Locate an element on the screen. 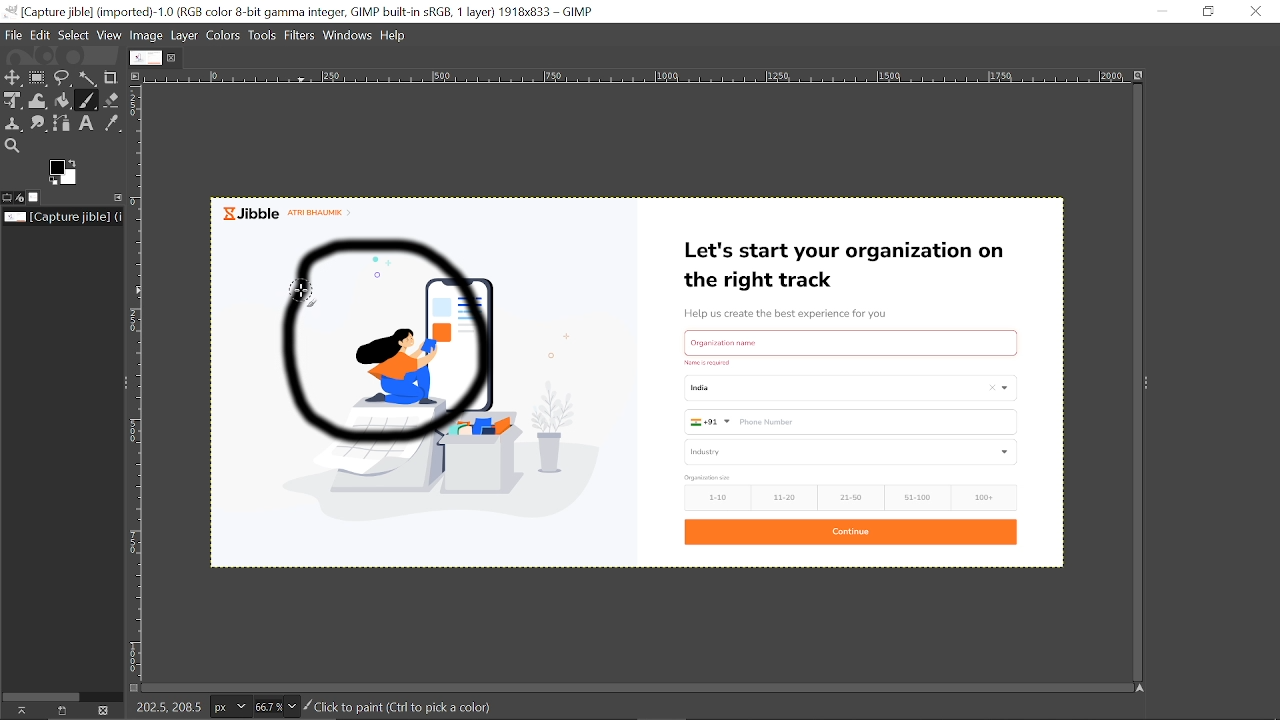  Fuzzy select tool  is located at coordinates (88, 80).